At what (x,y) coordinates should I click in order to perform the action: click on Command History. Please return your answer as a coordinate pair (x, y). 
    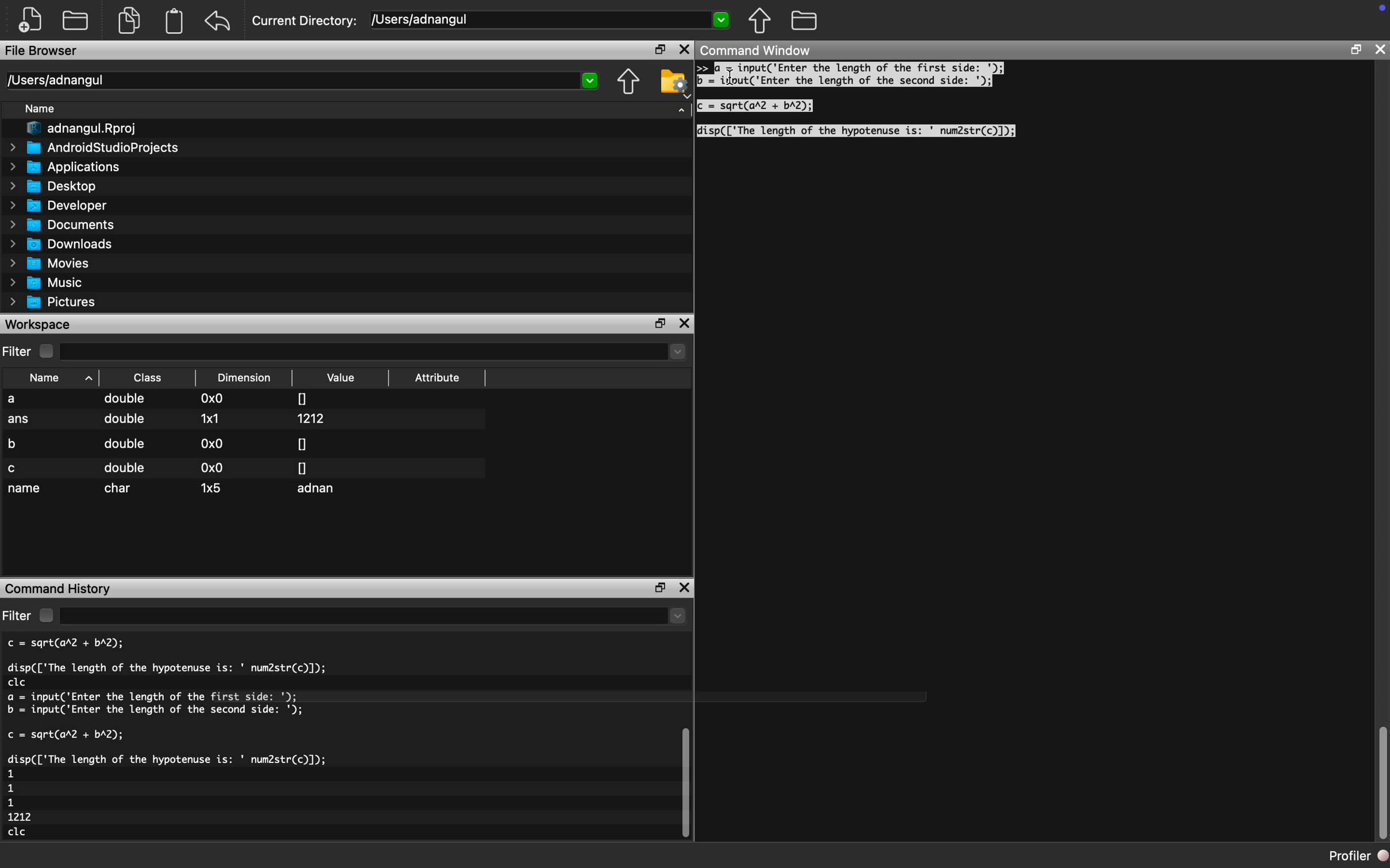
    Looking at the image, I should click on (60, 587).